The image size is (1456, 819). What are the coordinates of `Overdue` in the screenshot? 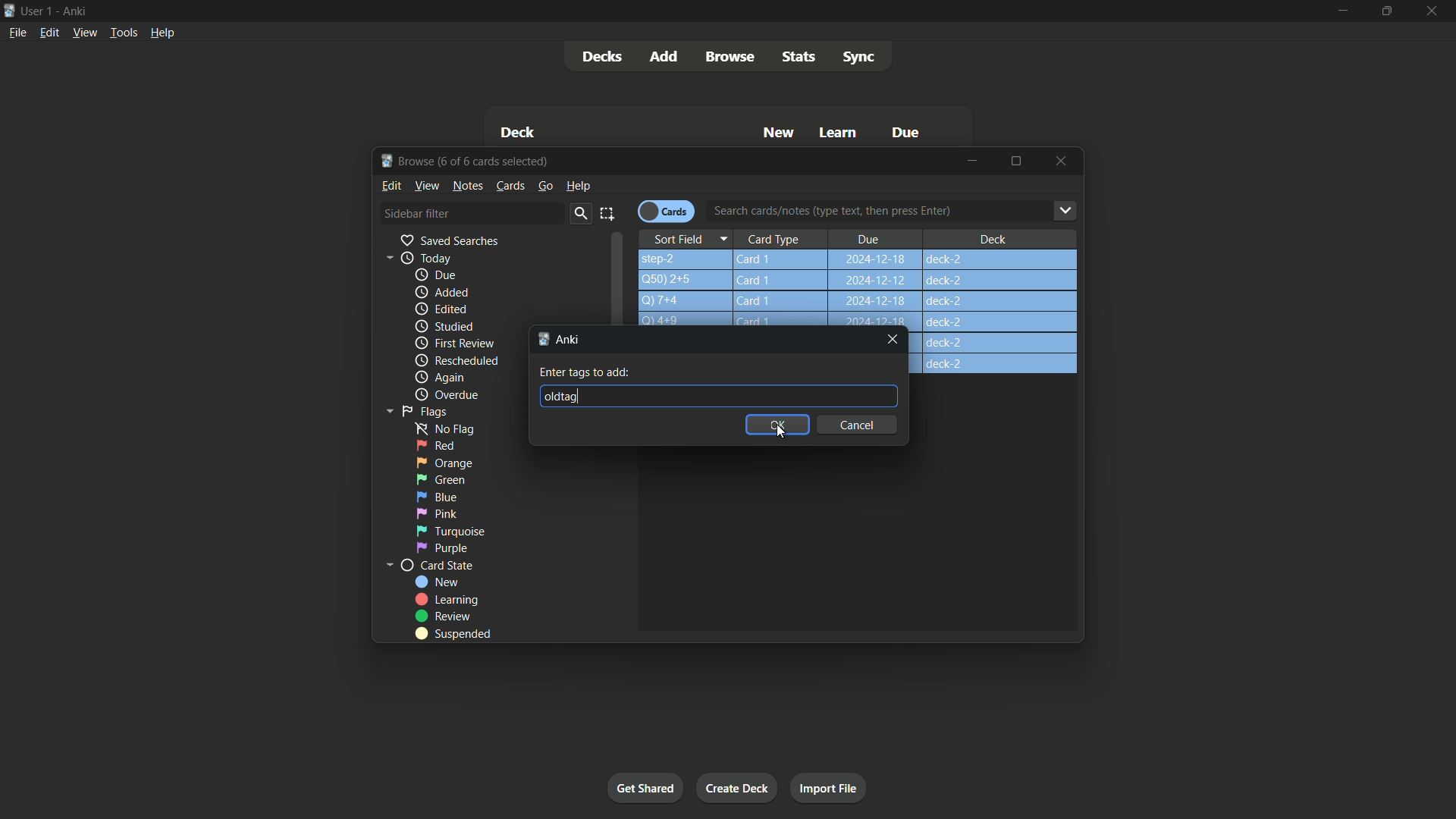 It's located at (445, 395).